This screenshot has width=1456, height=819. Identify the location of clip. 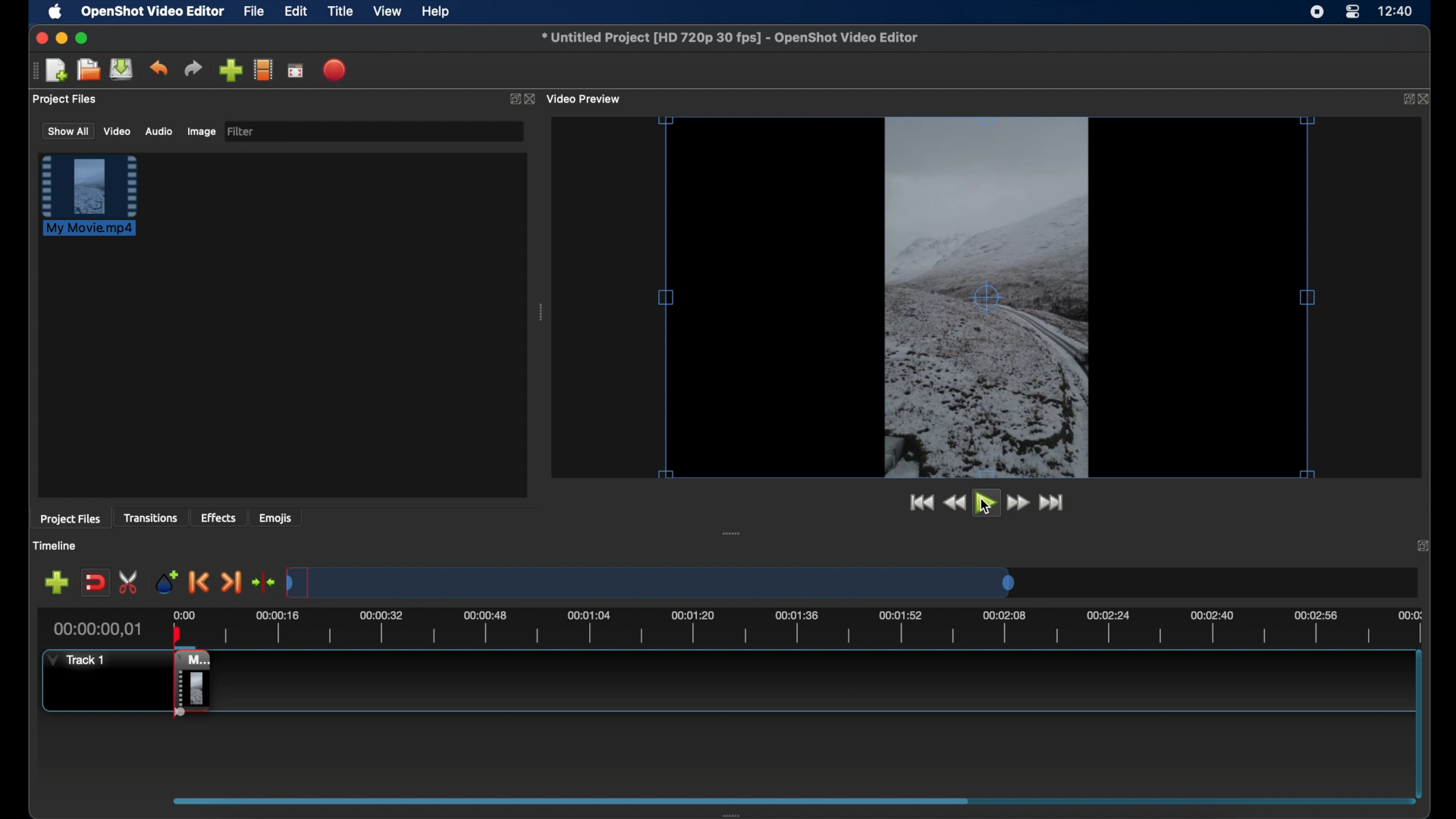
(177, 686).